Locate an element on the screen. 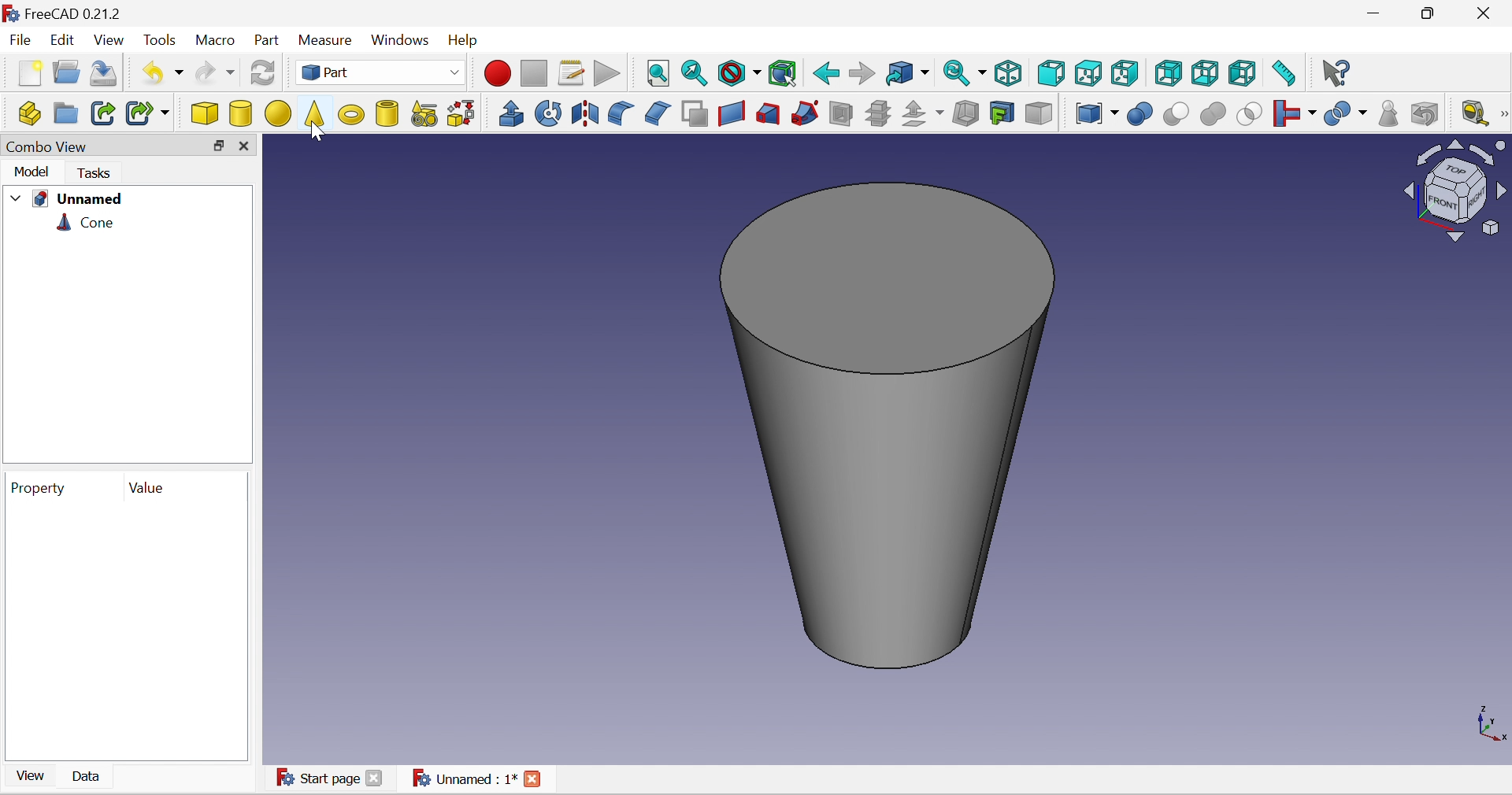 The image size is (1512, 795). Close is located at coordinates (1488, 14).